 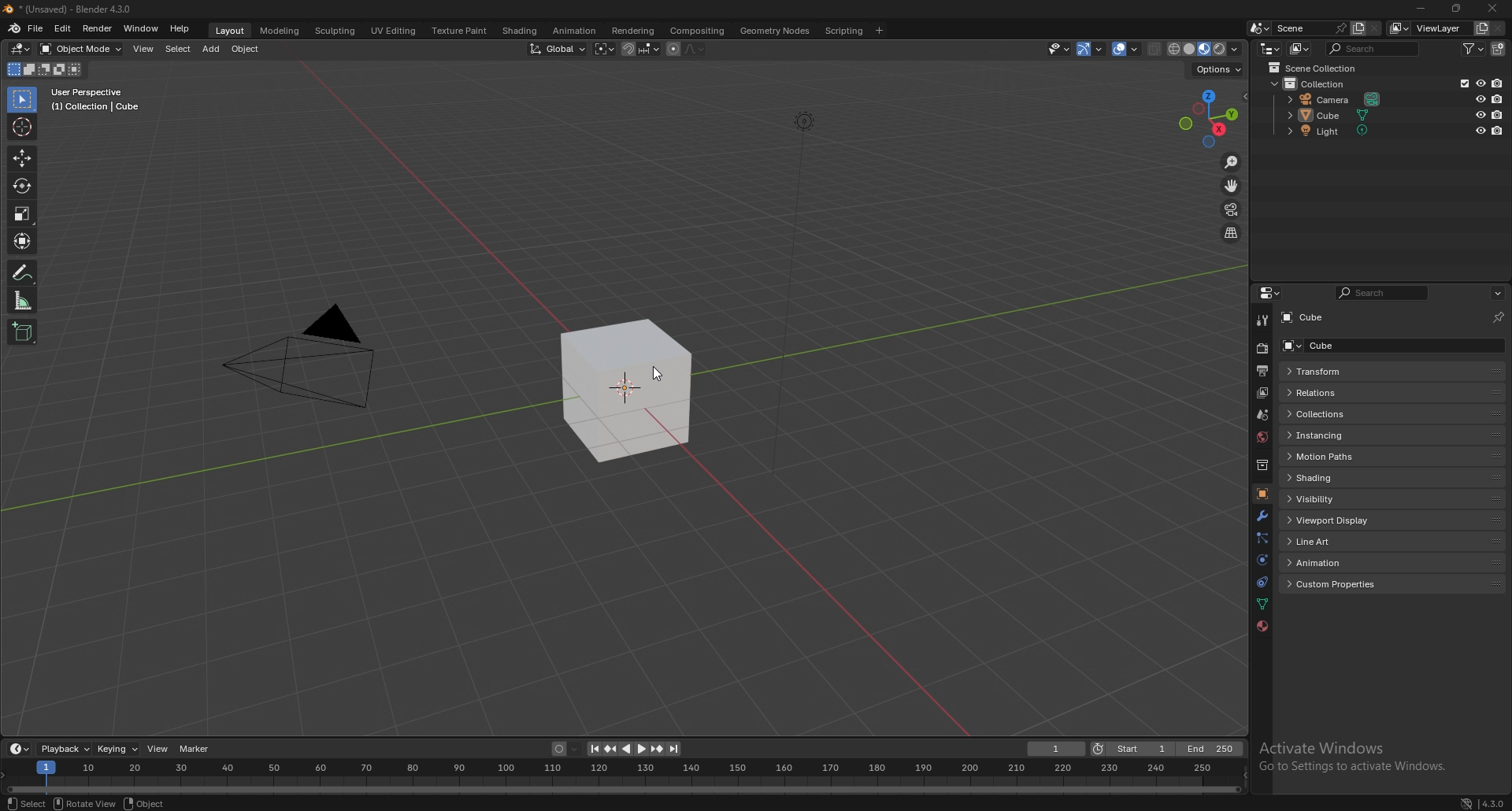 I want to click on hide in viewport, so click(x=1480, y=115).